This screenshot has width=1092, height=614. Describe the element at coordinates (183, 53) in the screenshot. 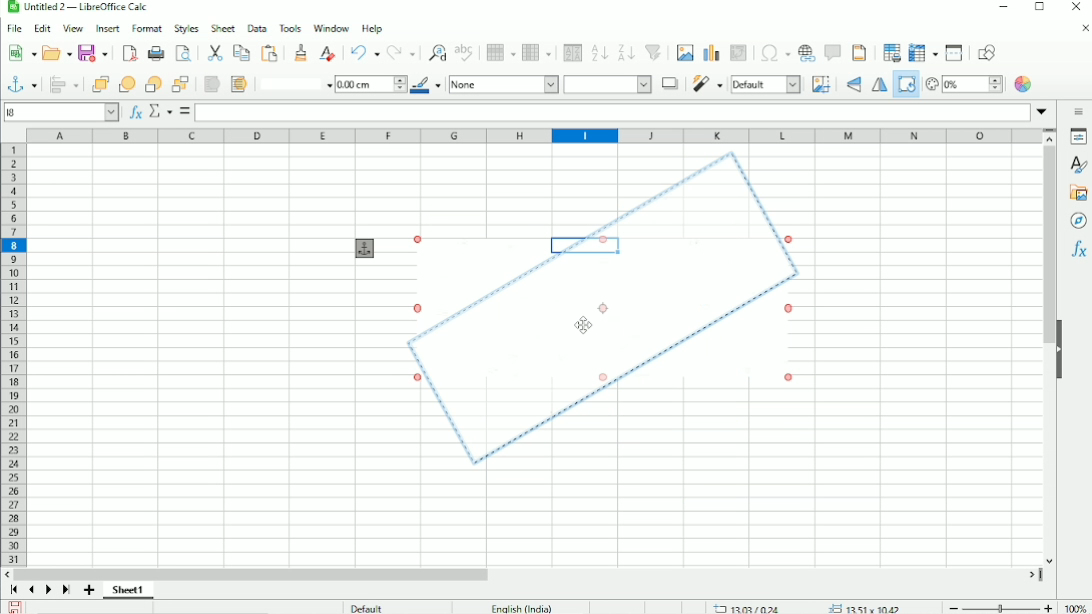

I see `Toggle print preview` at that location.